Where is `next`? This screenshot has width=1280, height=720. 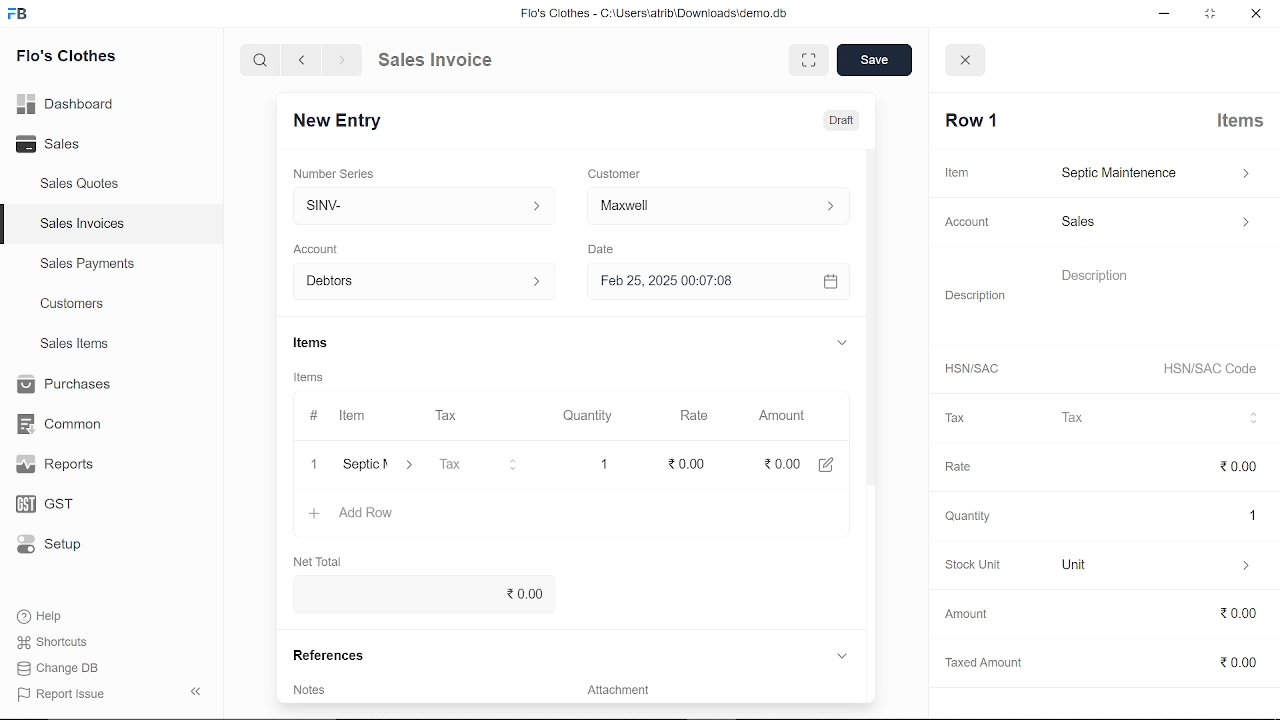
next is located at coordinates (342, 60).